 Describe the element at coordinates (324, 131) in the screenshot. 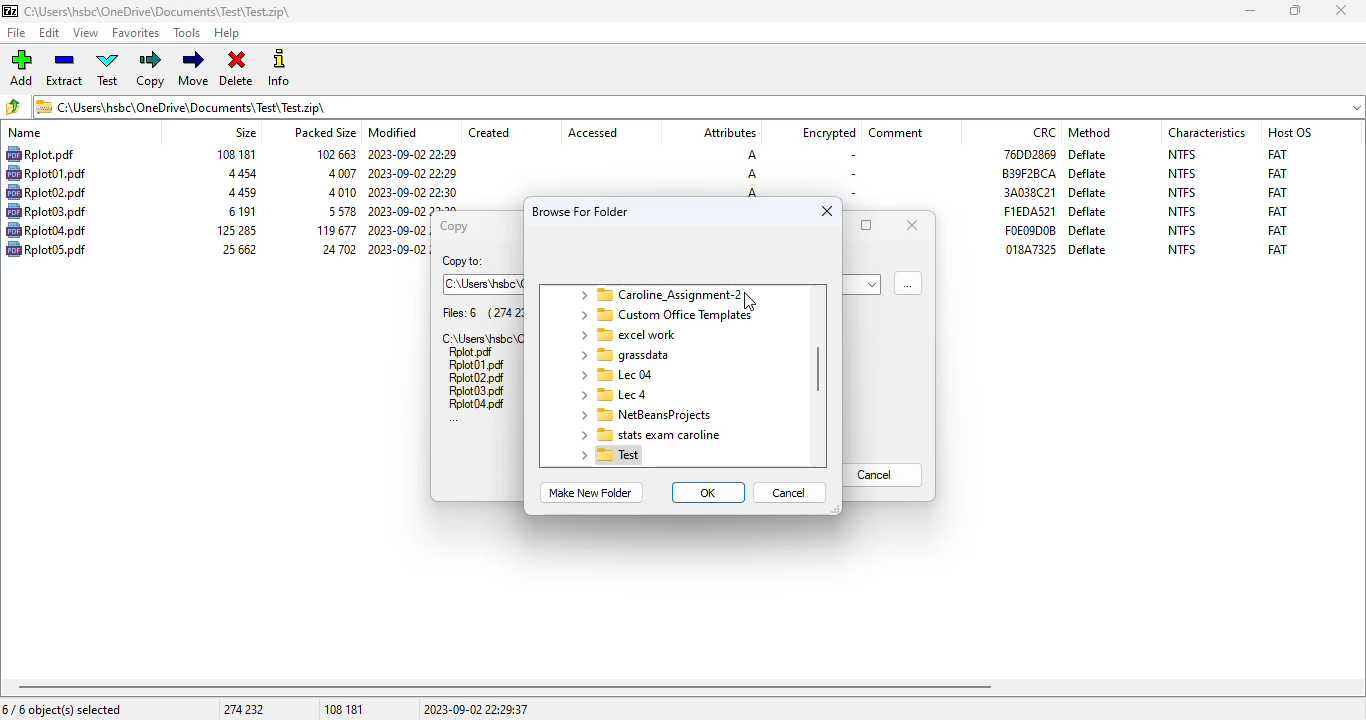

I see `packed size` at that location.